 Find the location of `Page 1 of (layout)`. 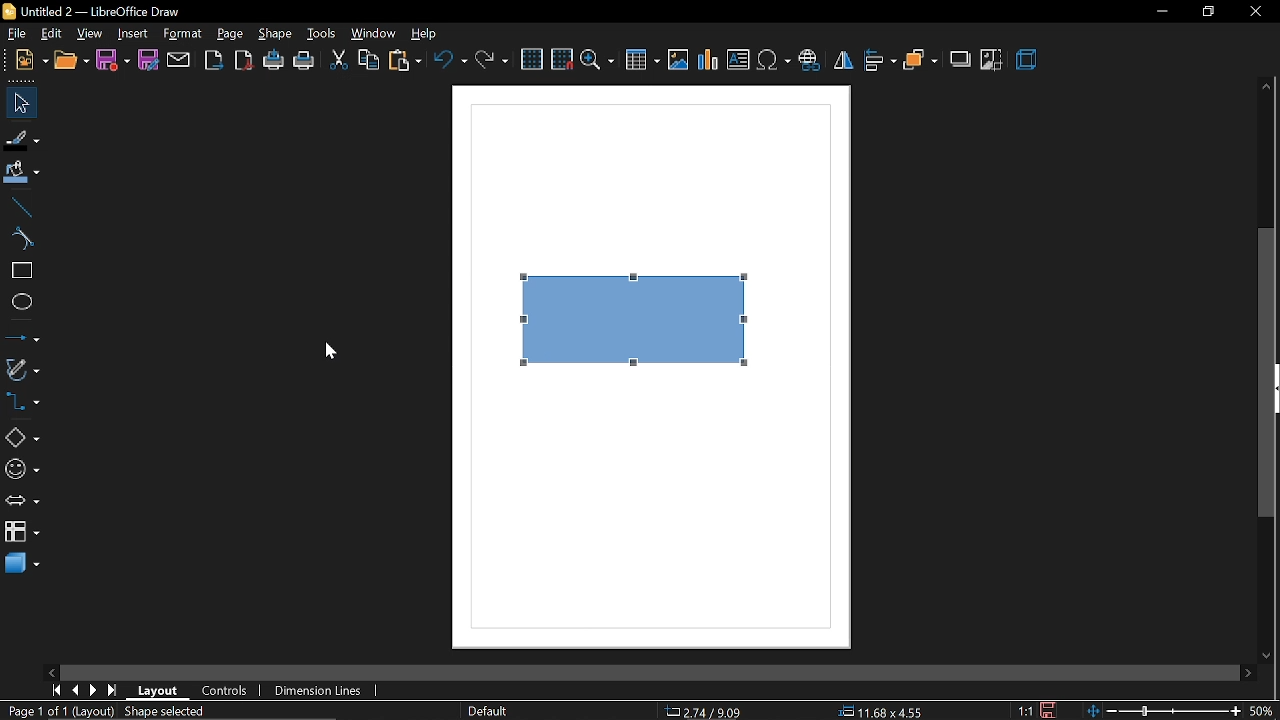

Page 1 of (layout) is located at coordinates (57, 713).